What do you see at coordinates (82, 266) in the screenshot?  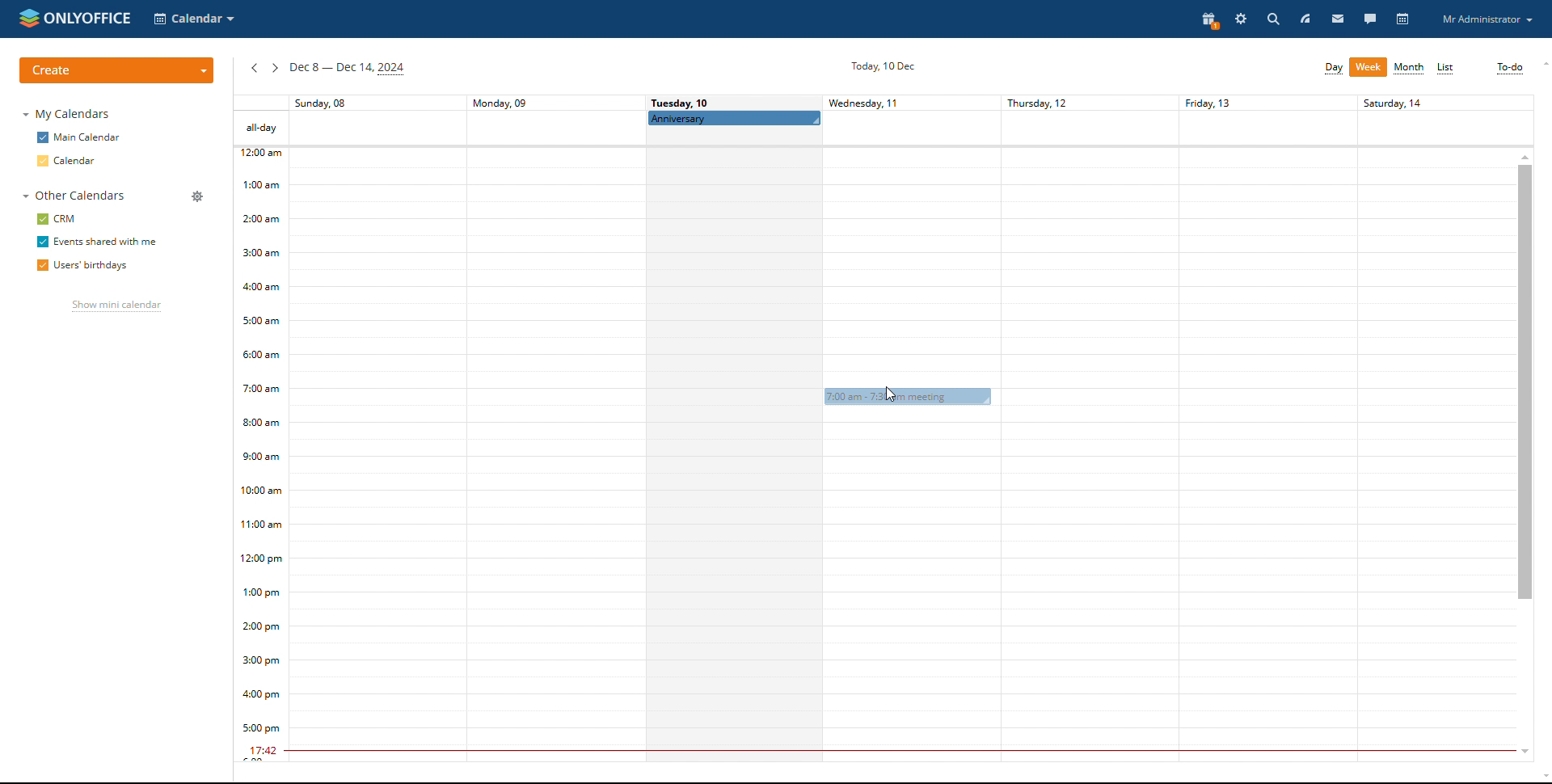 I see `users' birthdays` at bounding box center [82, 266].